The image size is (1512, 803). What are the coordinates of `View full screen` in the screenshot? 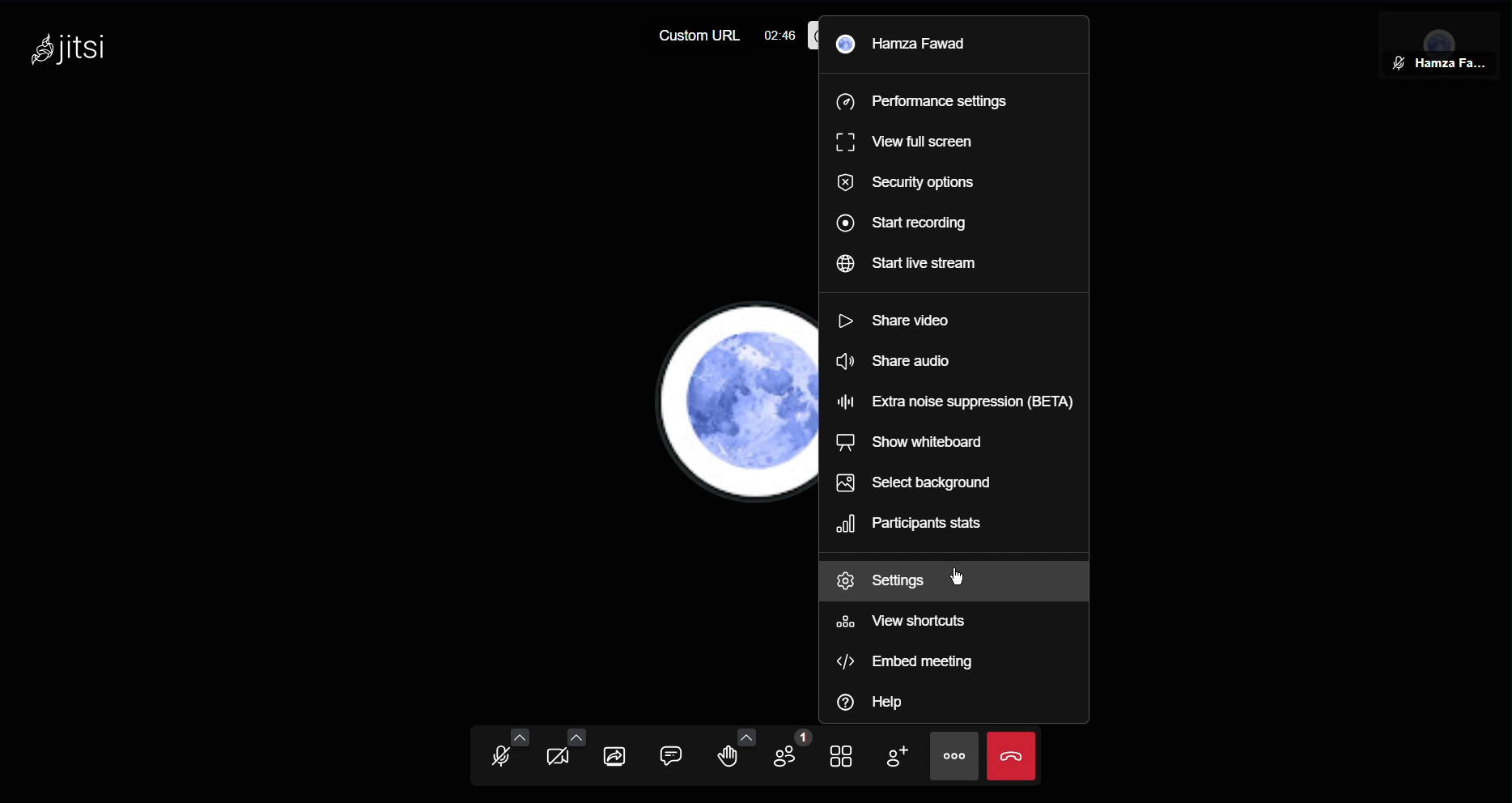 It's located at (911, 144).